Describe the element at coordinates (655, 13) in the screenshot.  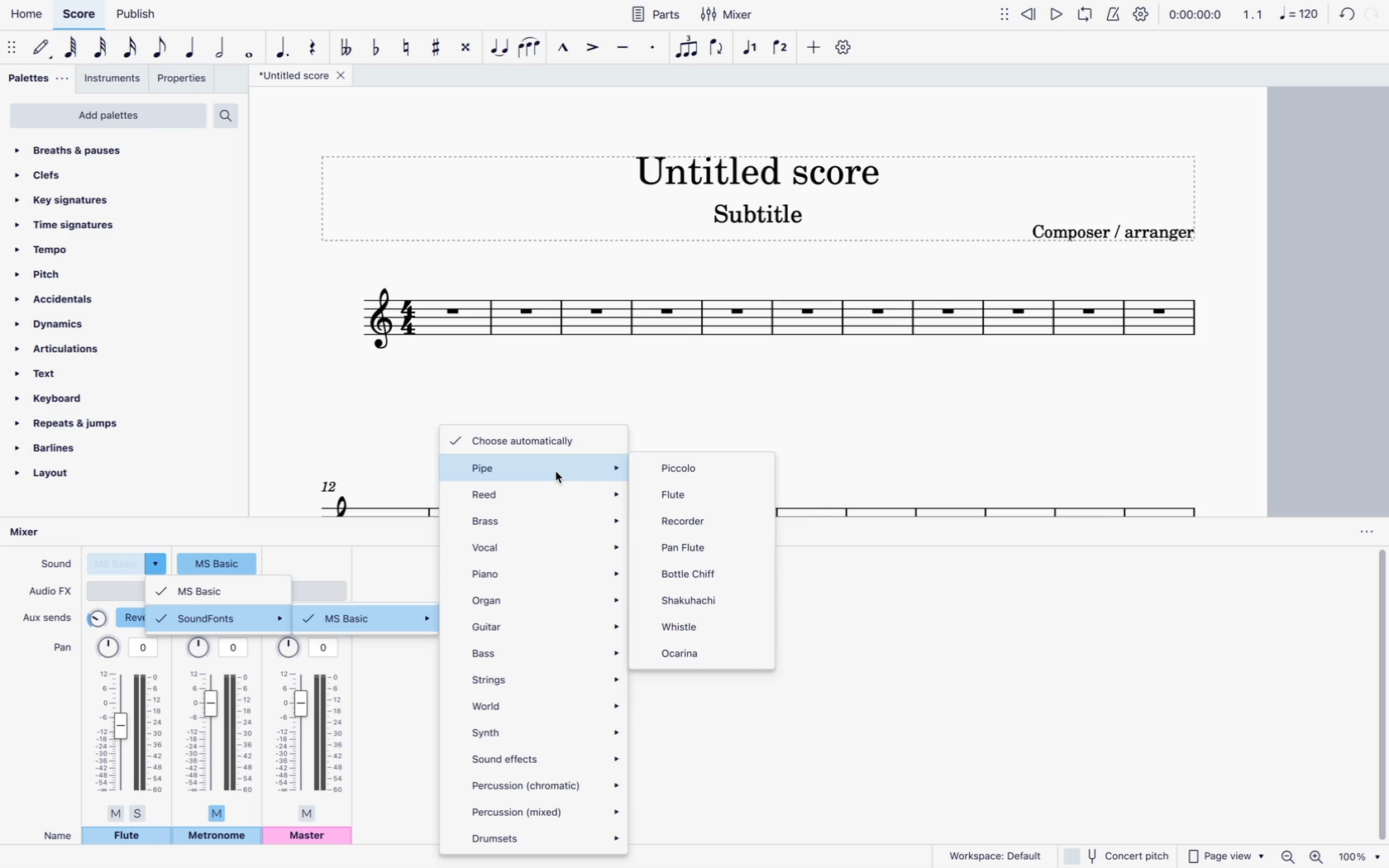
I see `parts` at that location.